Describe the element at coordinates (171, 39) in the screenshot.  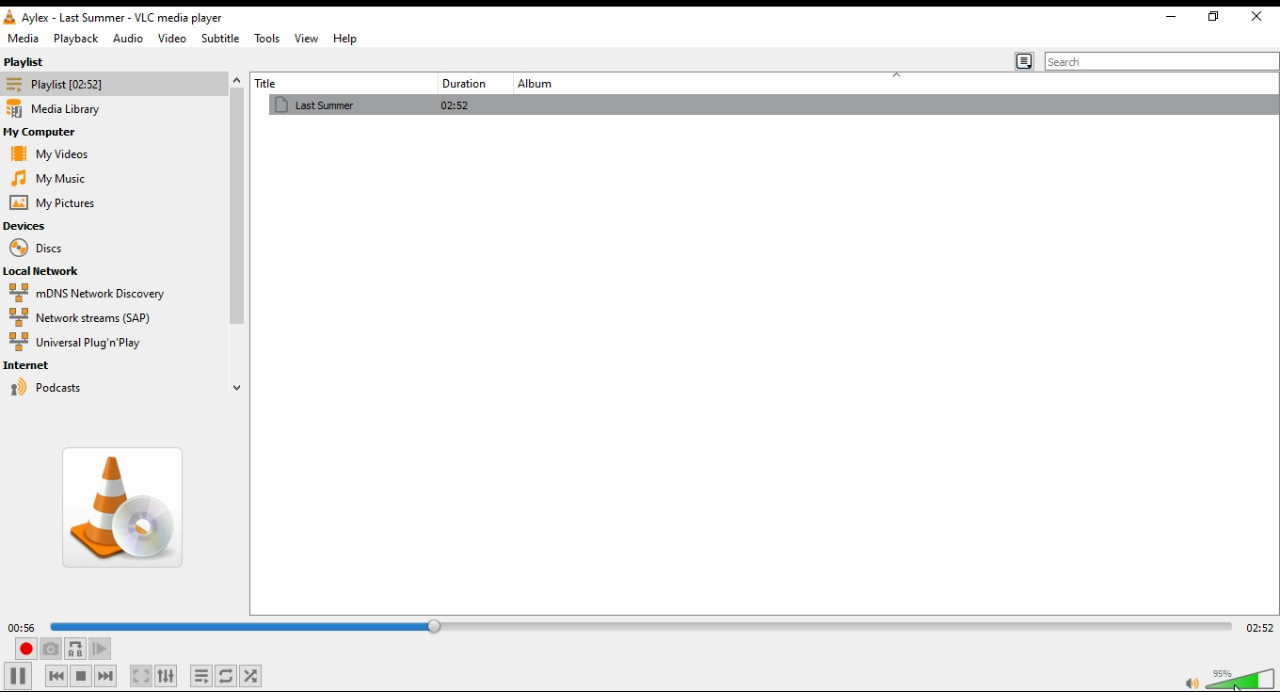
I see `video` at that location.